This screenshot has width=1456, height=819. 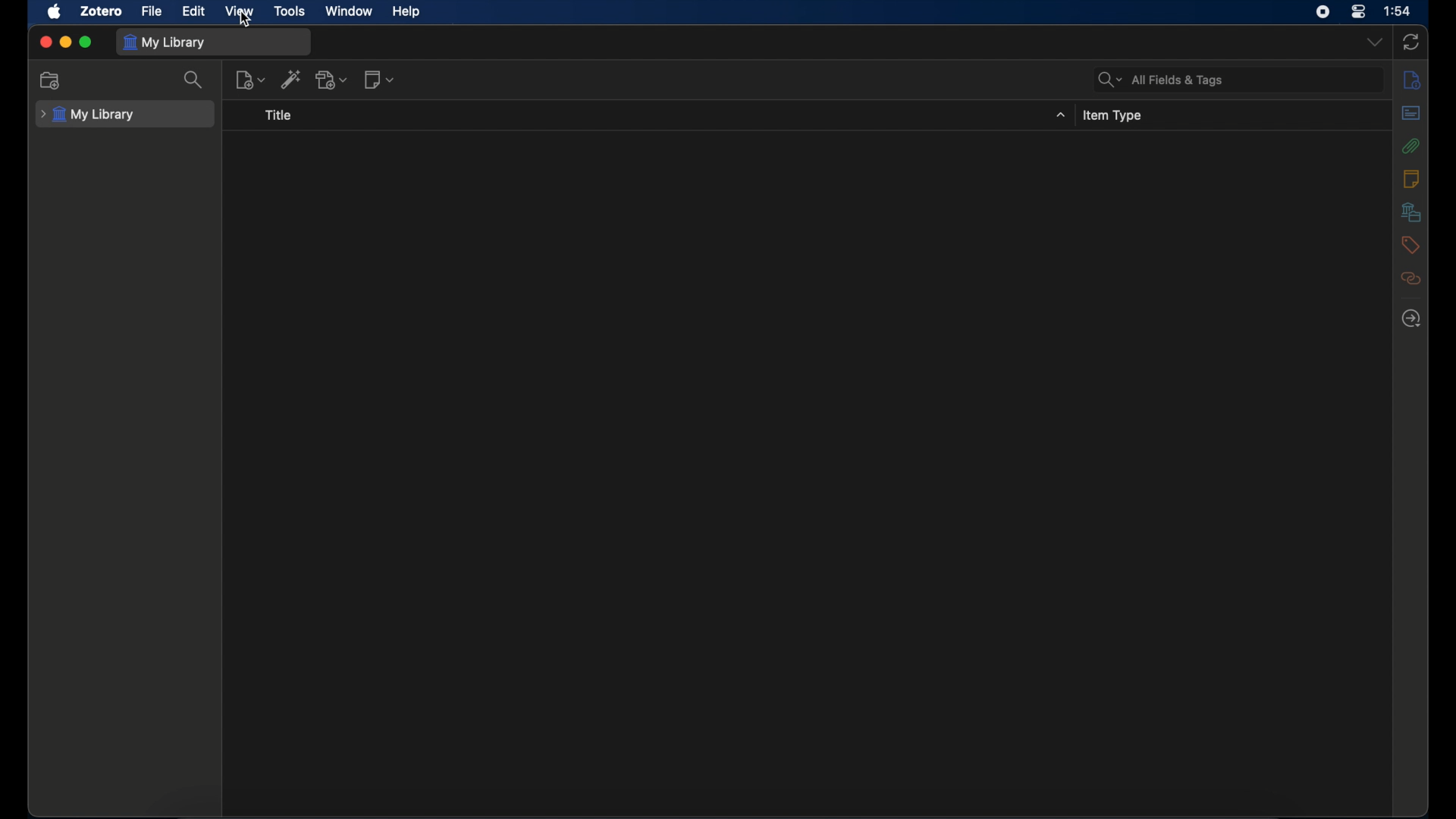 What do you see at coordinates (44, 42) in the screenshot?
I see `close` at bounding box center [44, 42].